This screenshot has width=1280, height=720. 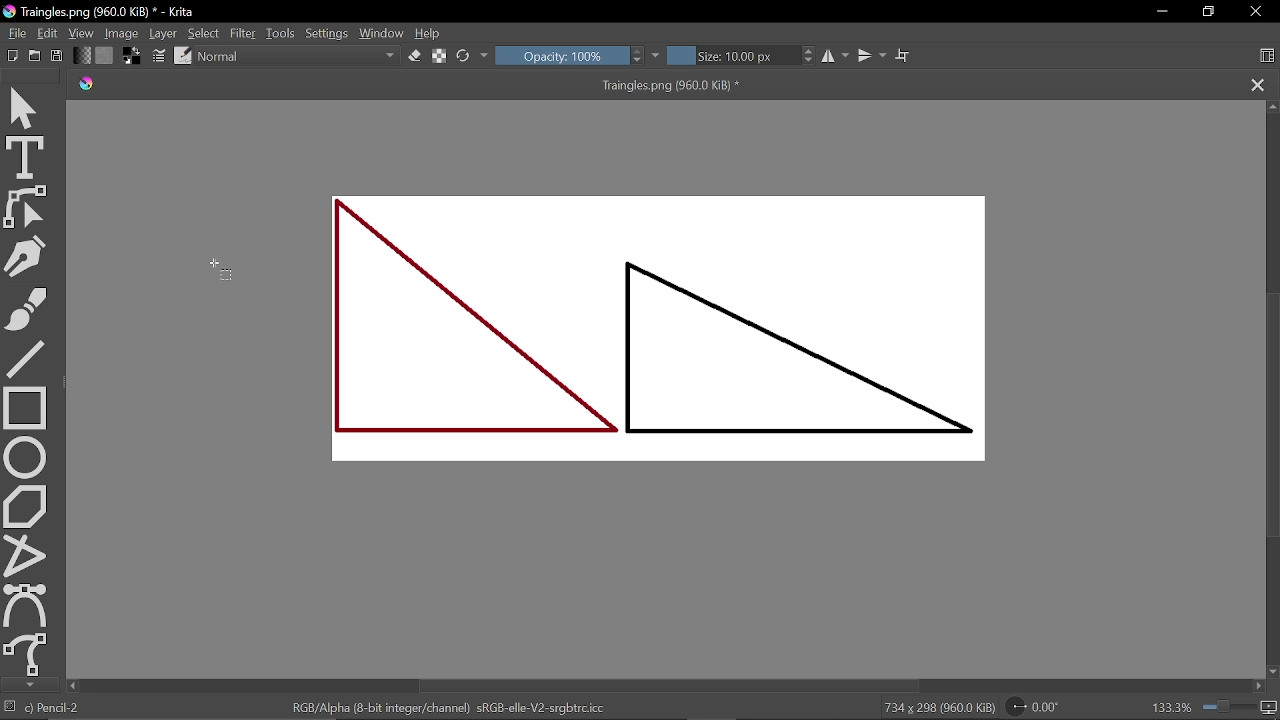 What do you see at coordinates (14, 55) in the screenshot?
I see `Create new document` at bounding box center [14, 55].